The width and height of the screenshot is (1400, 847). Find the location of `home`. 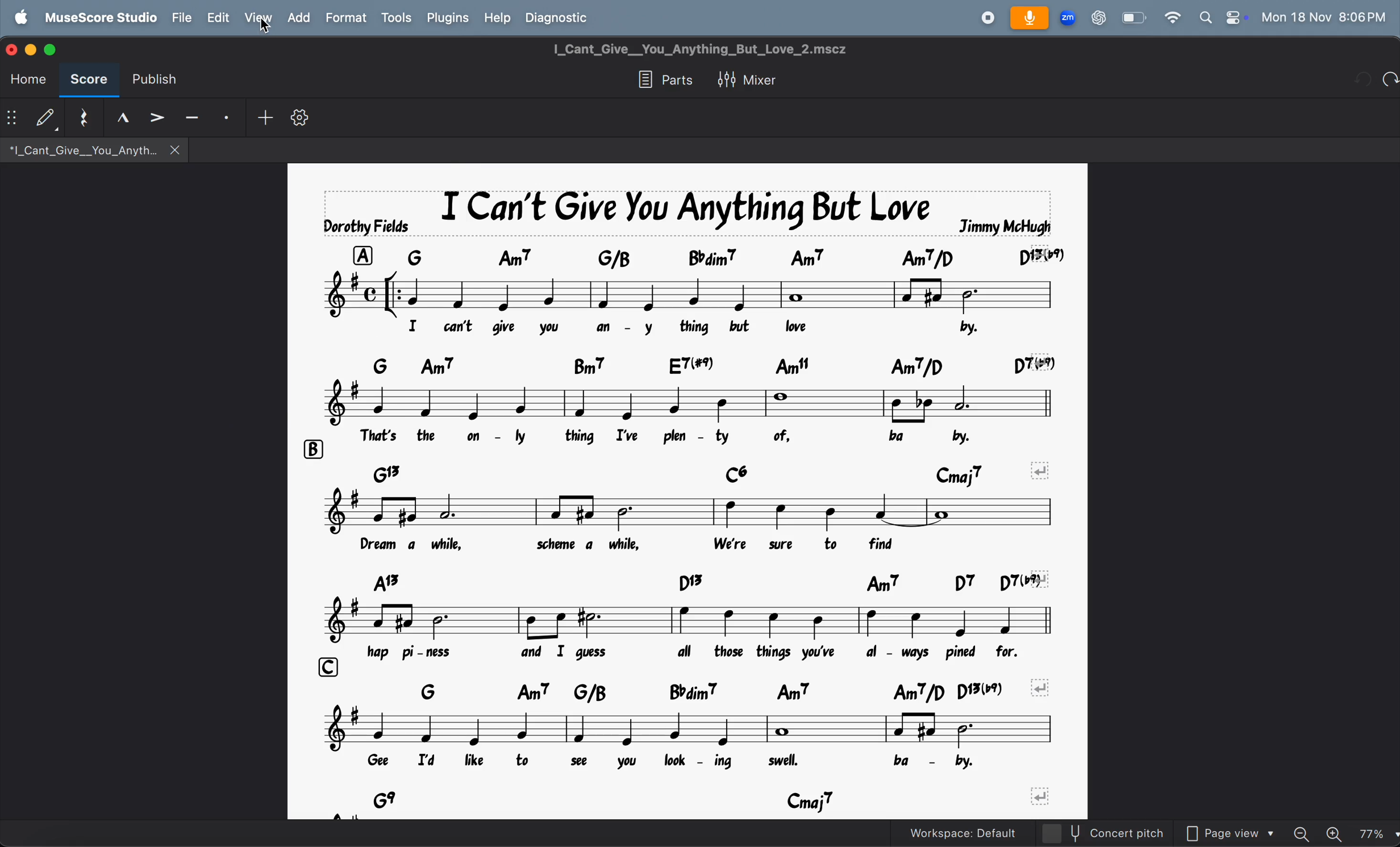

home is located at coordinates (29, 81).